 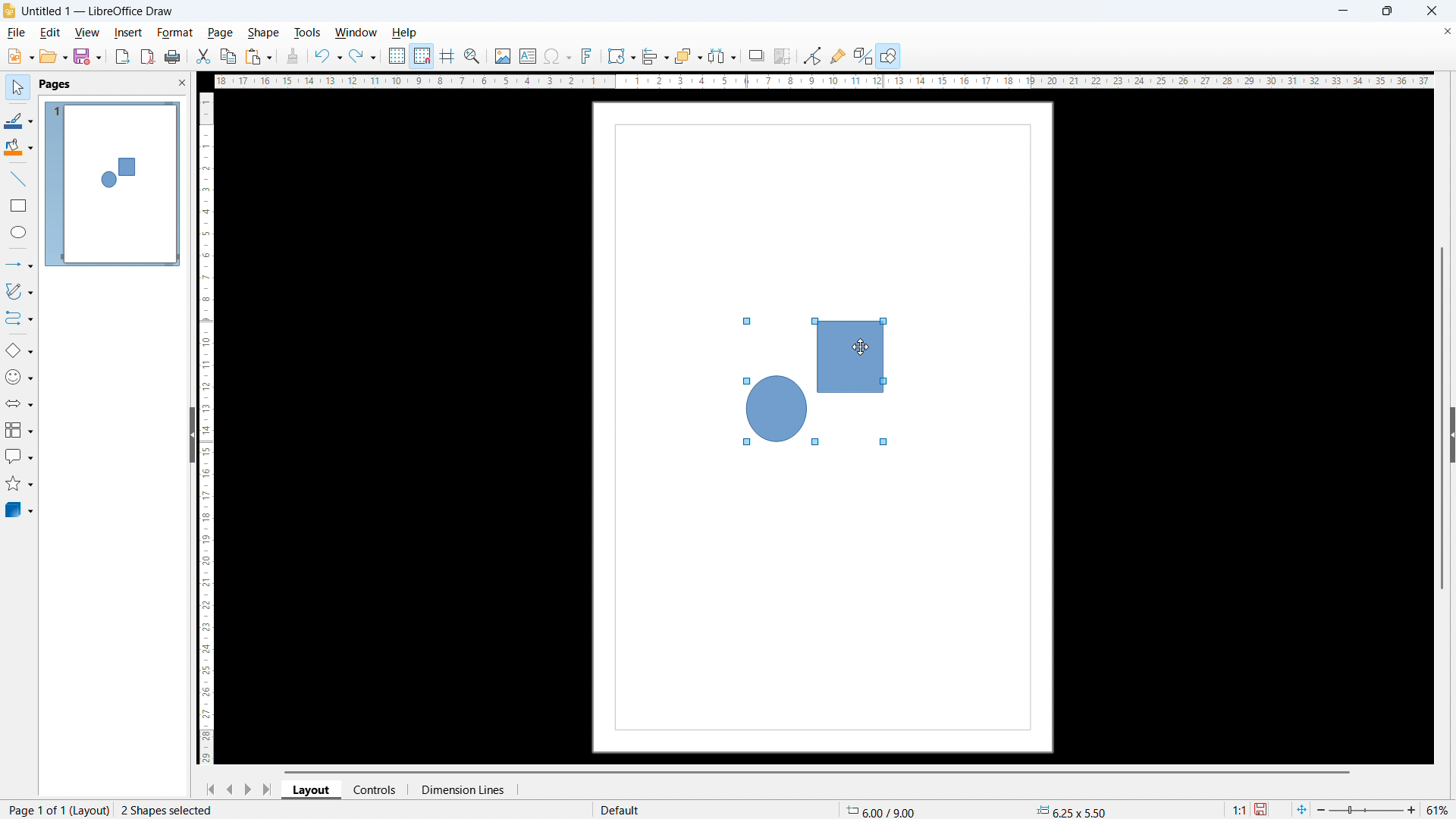 What do you see at coordinates (860, 349) in the screenshot?
I see `cursor` at bounding box center [860, 349].